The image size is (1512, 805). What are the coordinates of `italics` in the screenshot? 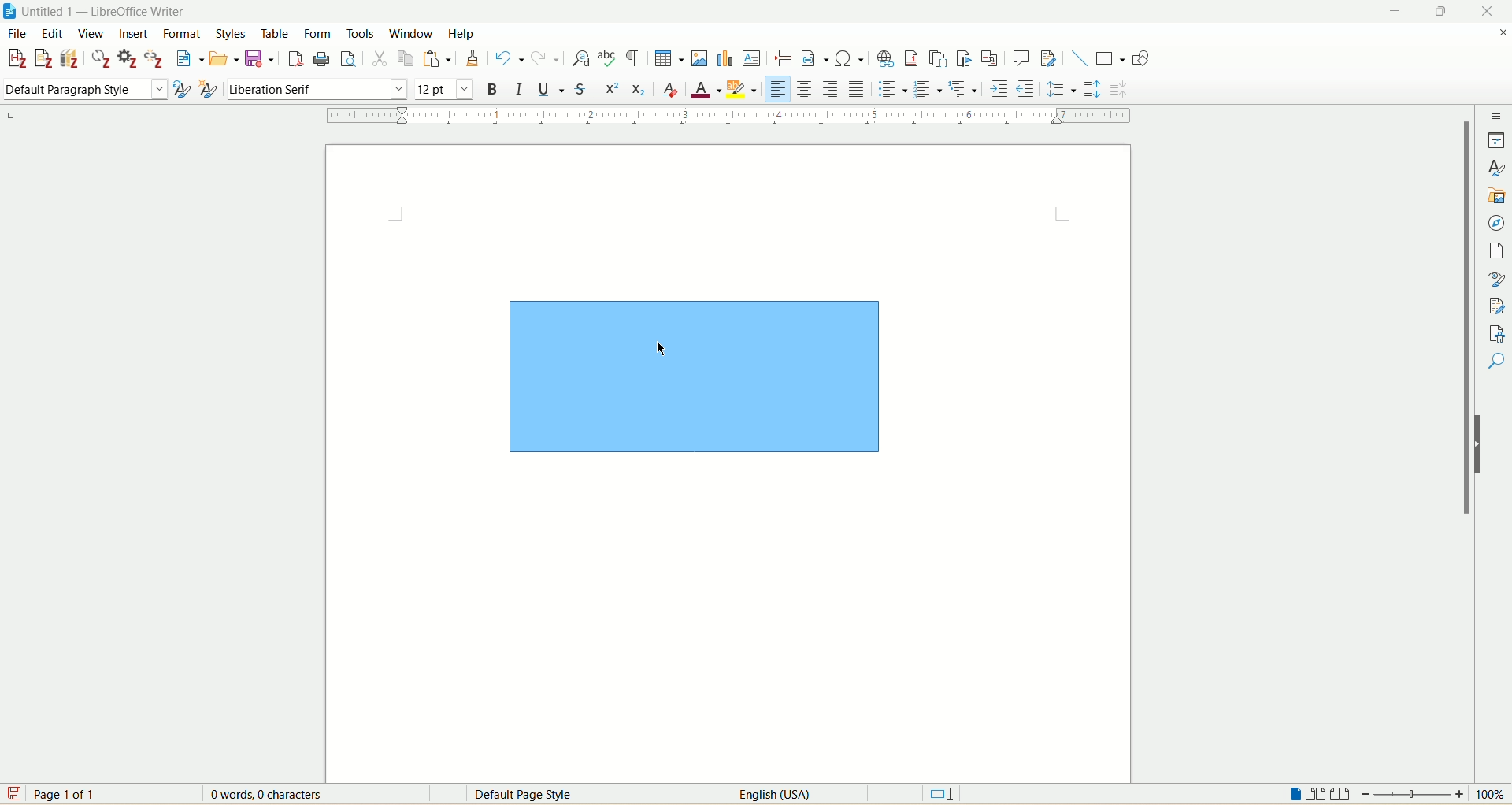 It's located at (518, 91).